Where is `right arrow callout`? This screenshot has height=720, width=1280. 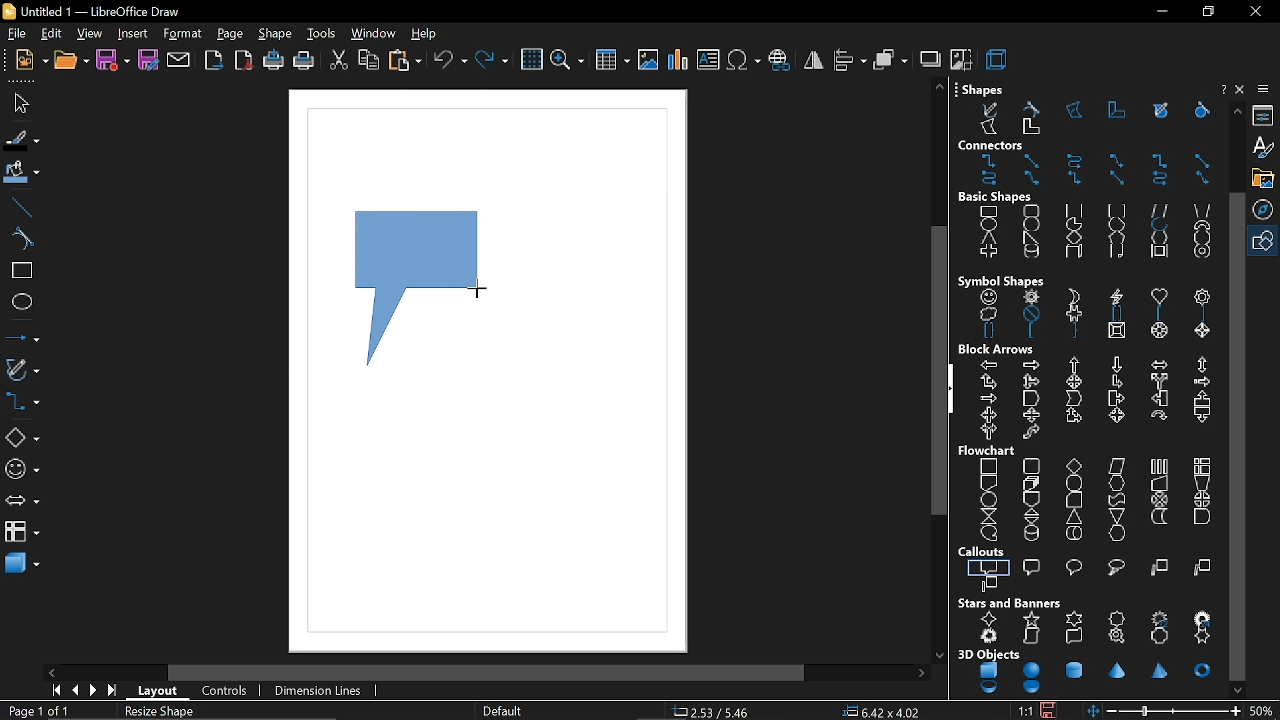 right arrow callout is located at coordinates (1115, 399).